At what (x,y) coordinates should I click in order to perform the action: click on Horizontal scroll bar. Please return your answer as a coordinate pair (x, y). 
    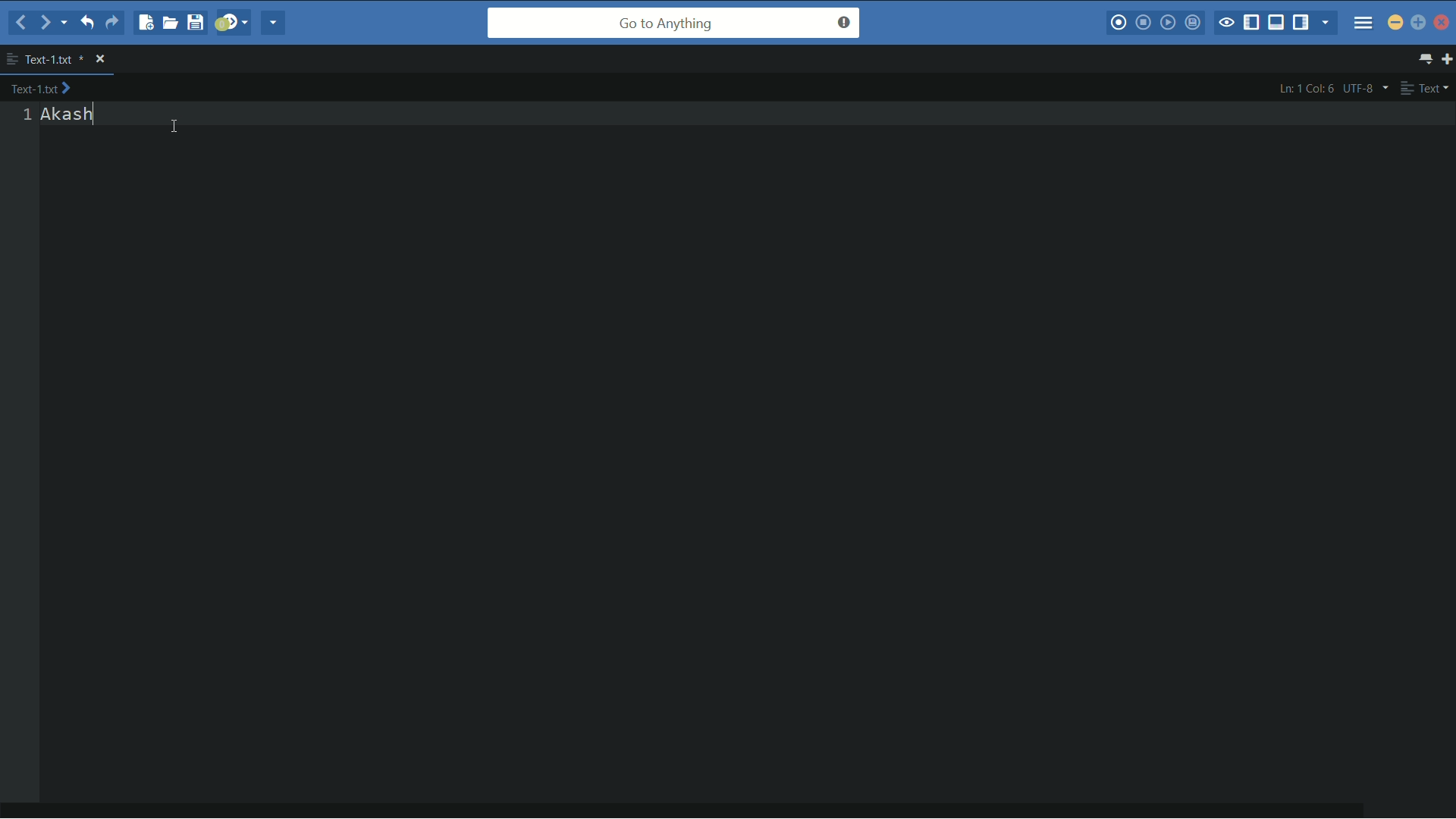
    Looking at the image, I should click on (688, 813).